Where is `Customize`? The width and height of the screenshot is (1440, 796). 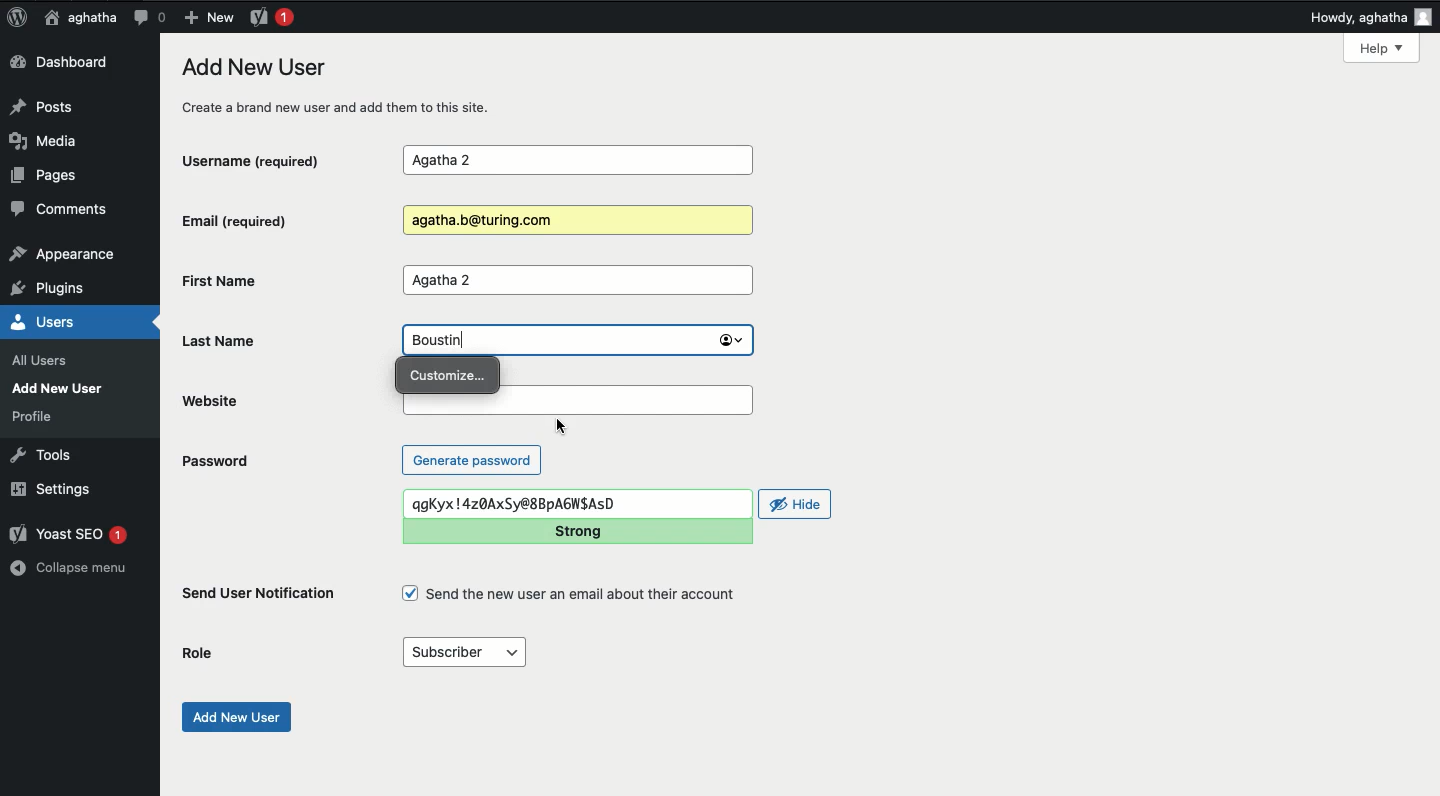
Customize is located at coordinates (448, 377).